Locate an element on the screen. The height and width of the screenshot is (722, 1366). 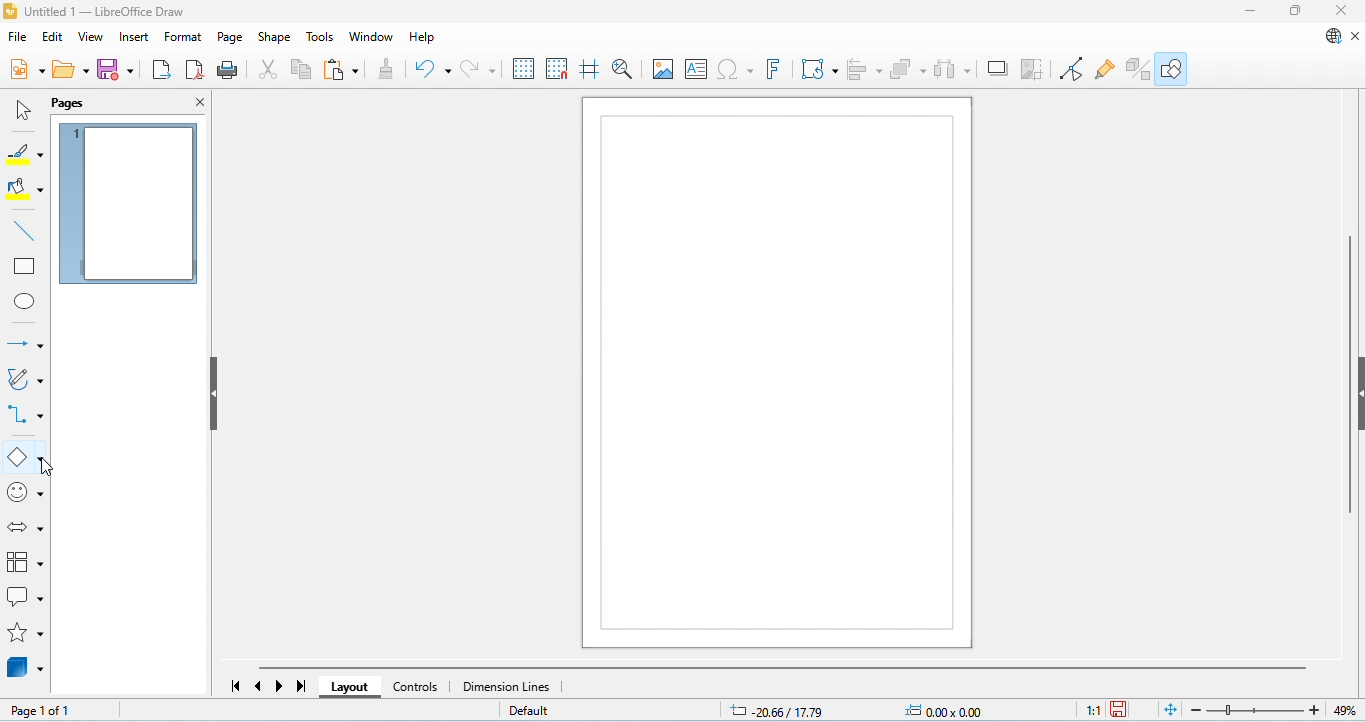
insert special characters is located at coordinates (736, 69).